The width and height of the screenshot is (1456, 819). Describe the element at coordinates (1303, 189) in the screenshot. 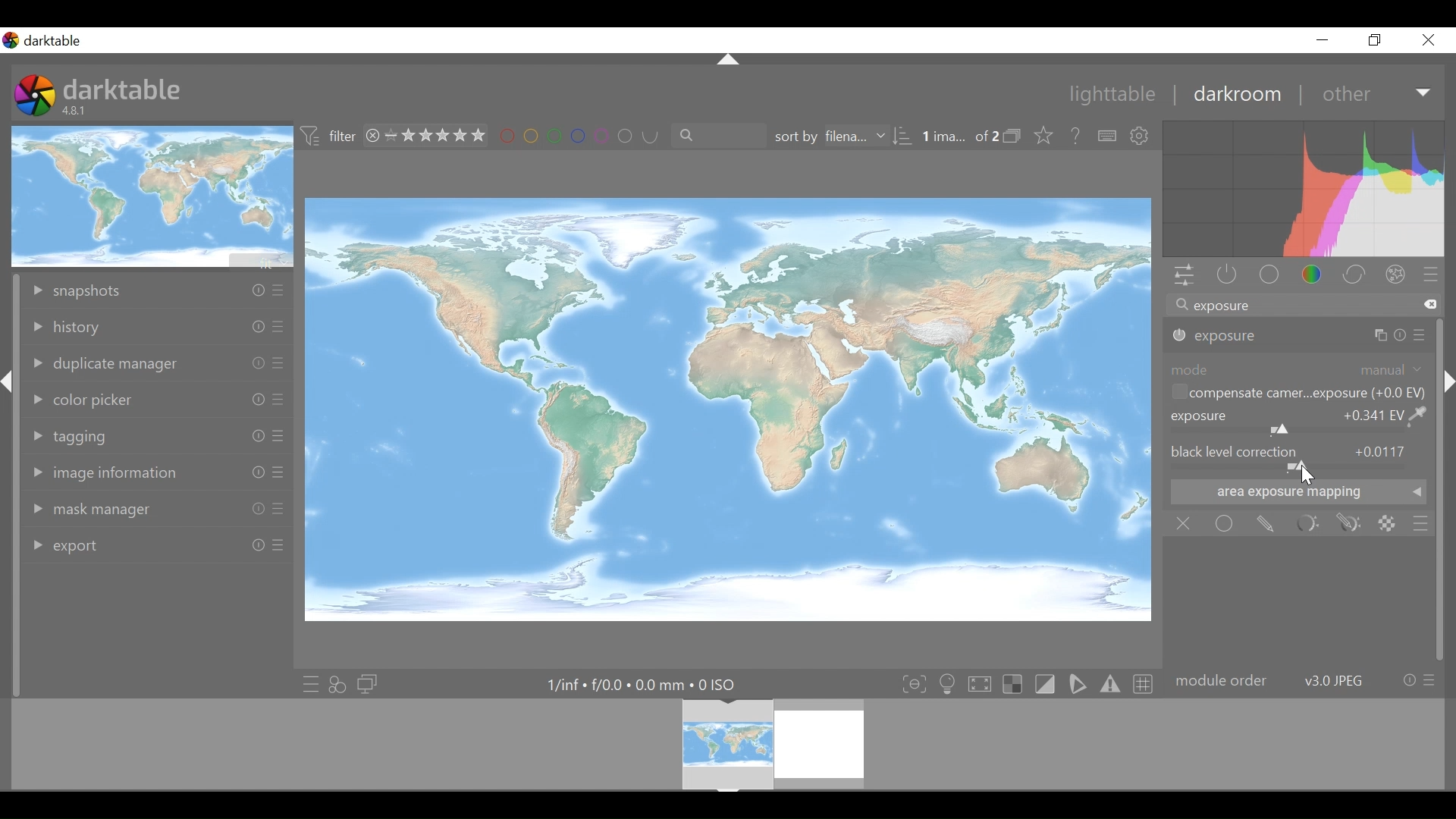

I see `histogram` at that location.